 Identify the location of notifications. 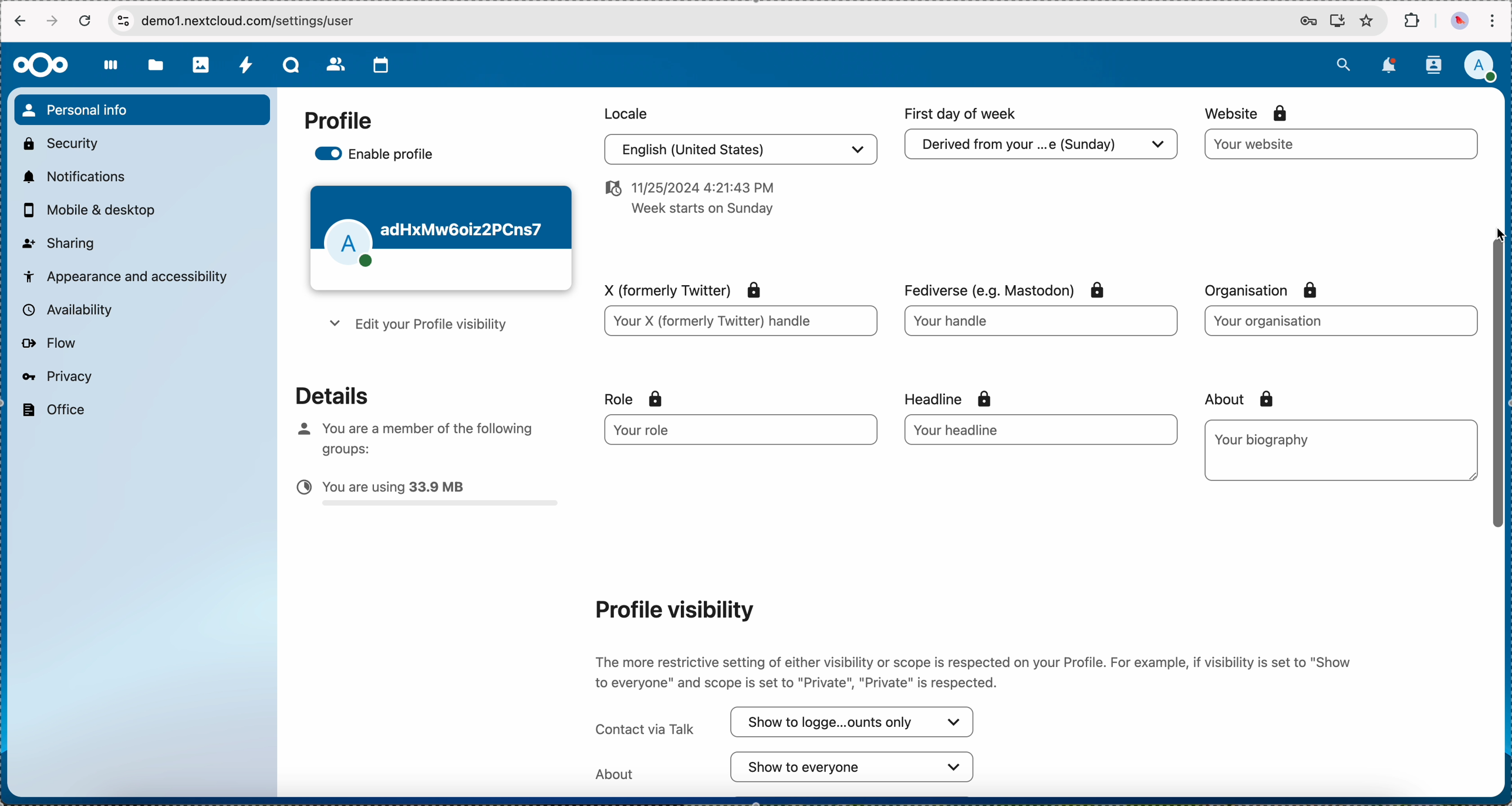
(72, 176).